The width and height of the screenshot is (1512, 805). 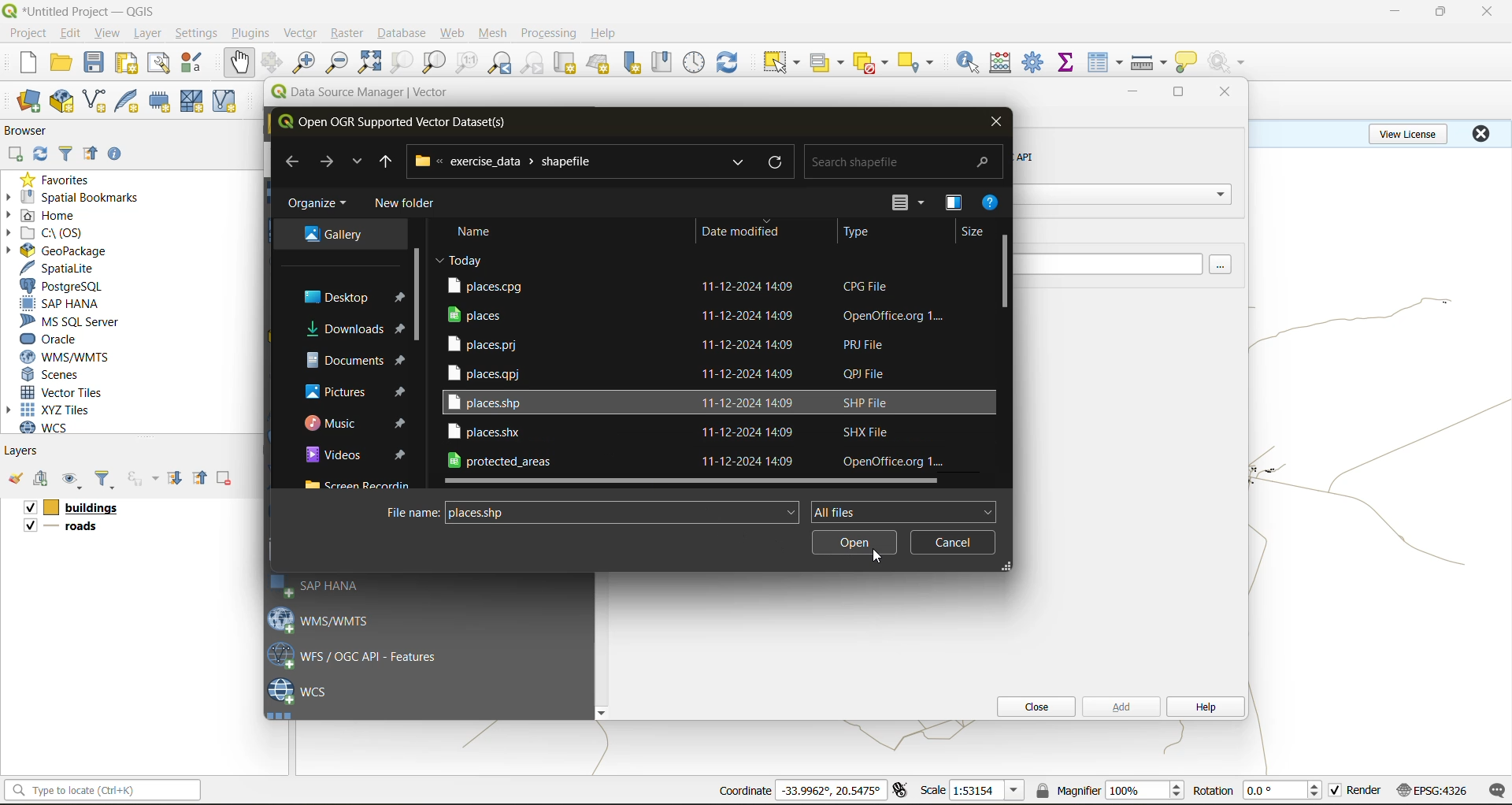 What do you see at coordinates (695, 63) in the screenshot?
I see `control panel` at bounding box center [695, 63].